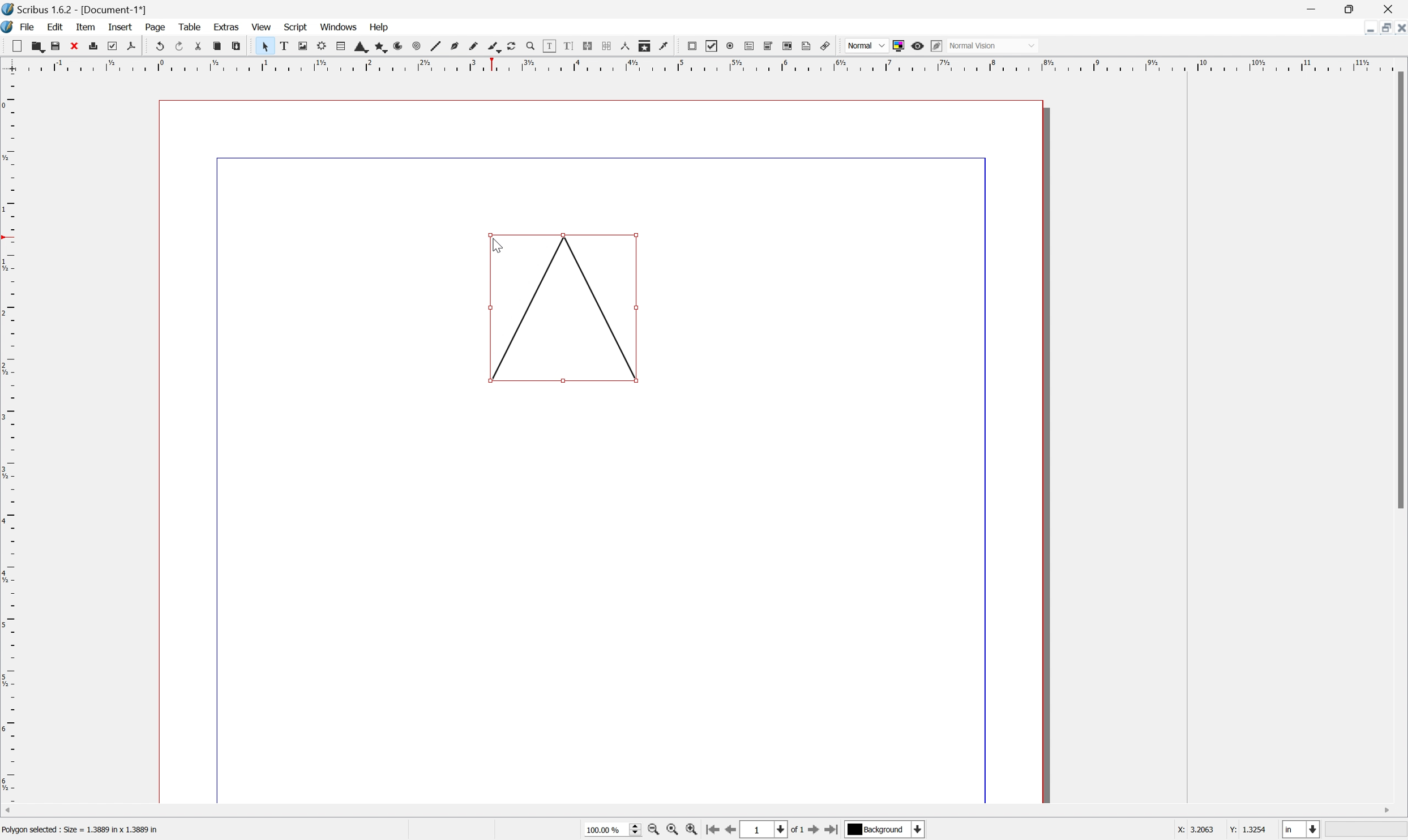 The height and width of the screenshot is (840, 1408). I want to click on PDF push button, so click(691, 47).